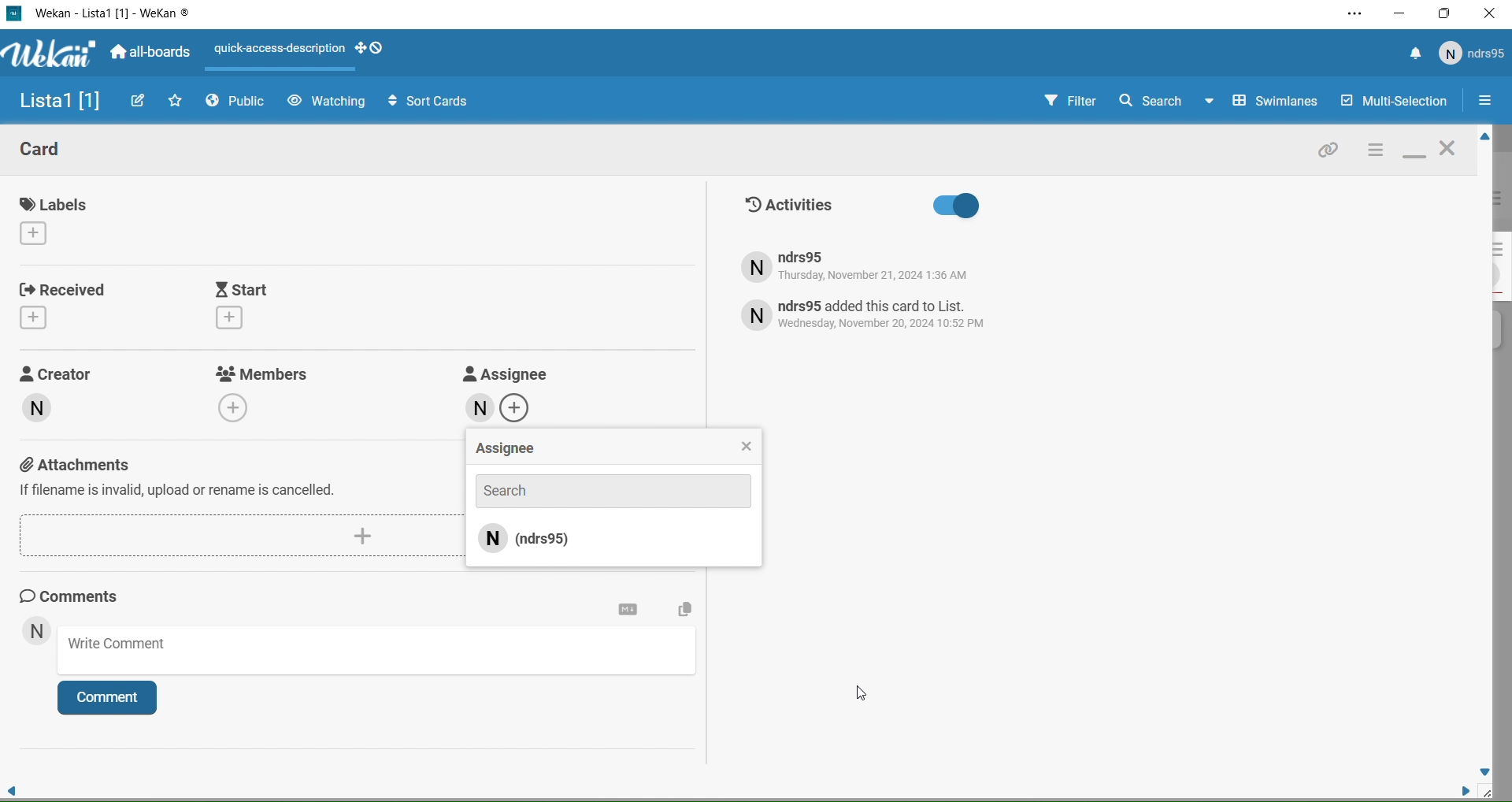  I want to click on Activities, so click(862, 206).